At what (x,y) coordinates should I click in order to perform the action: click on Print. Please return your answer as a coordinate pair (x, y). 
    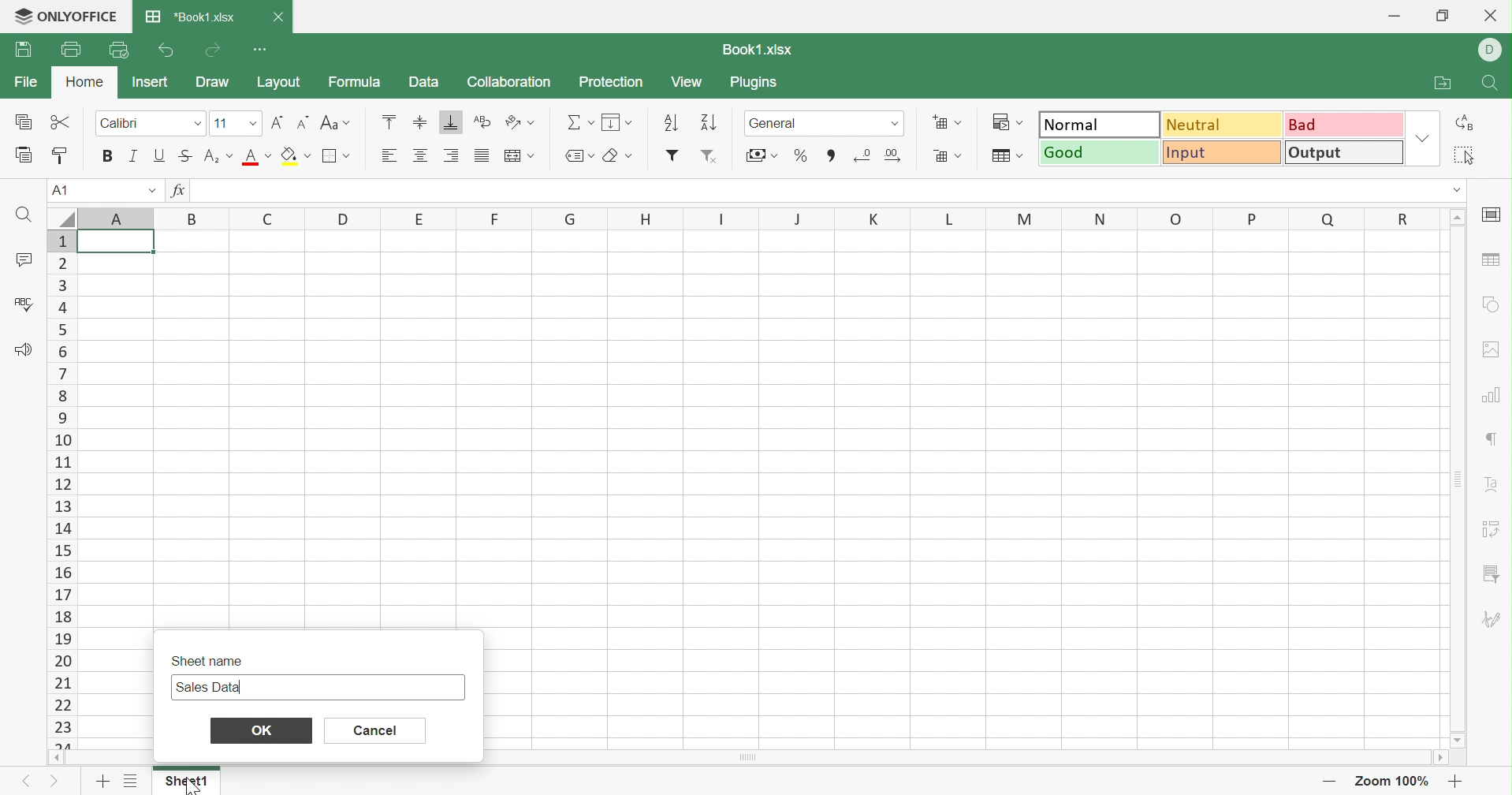
    Looking at the image, I should click on (71, 48).